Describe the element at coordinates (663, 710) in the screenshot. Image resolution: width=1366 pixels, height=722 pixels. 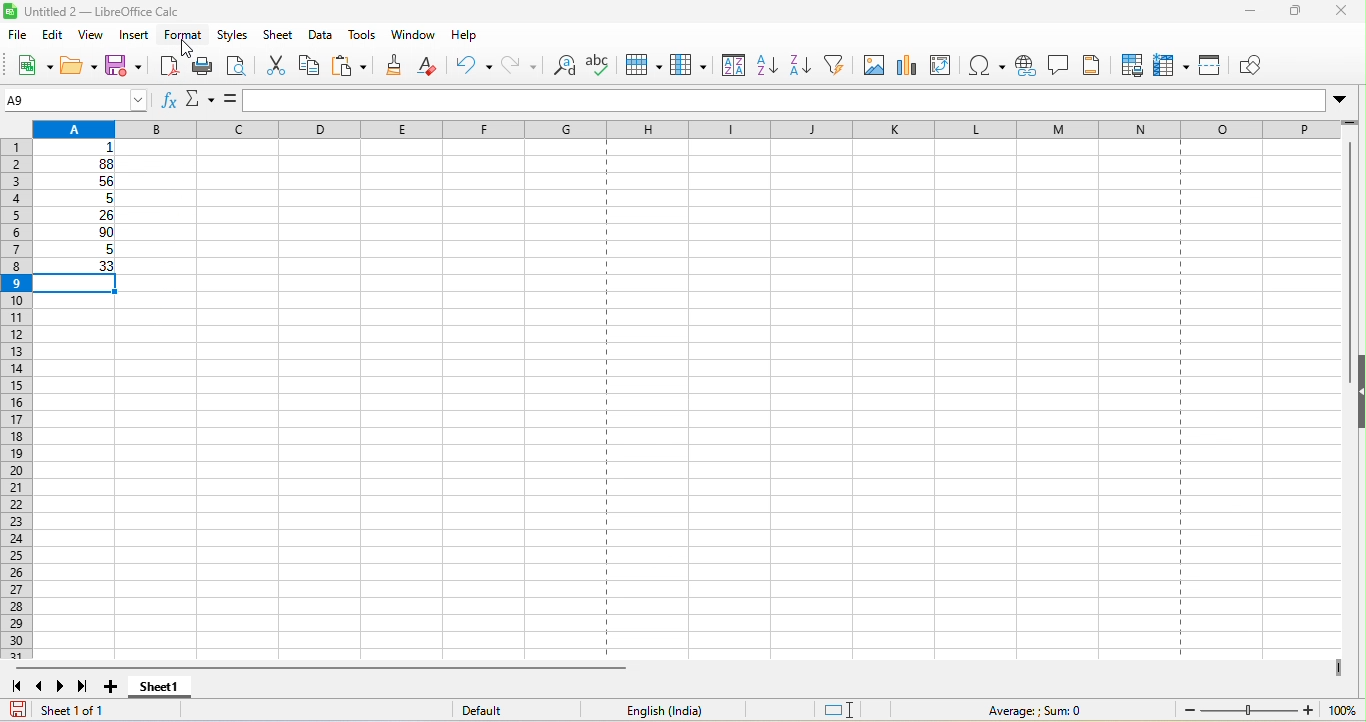
I see `text language` at that location.